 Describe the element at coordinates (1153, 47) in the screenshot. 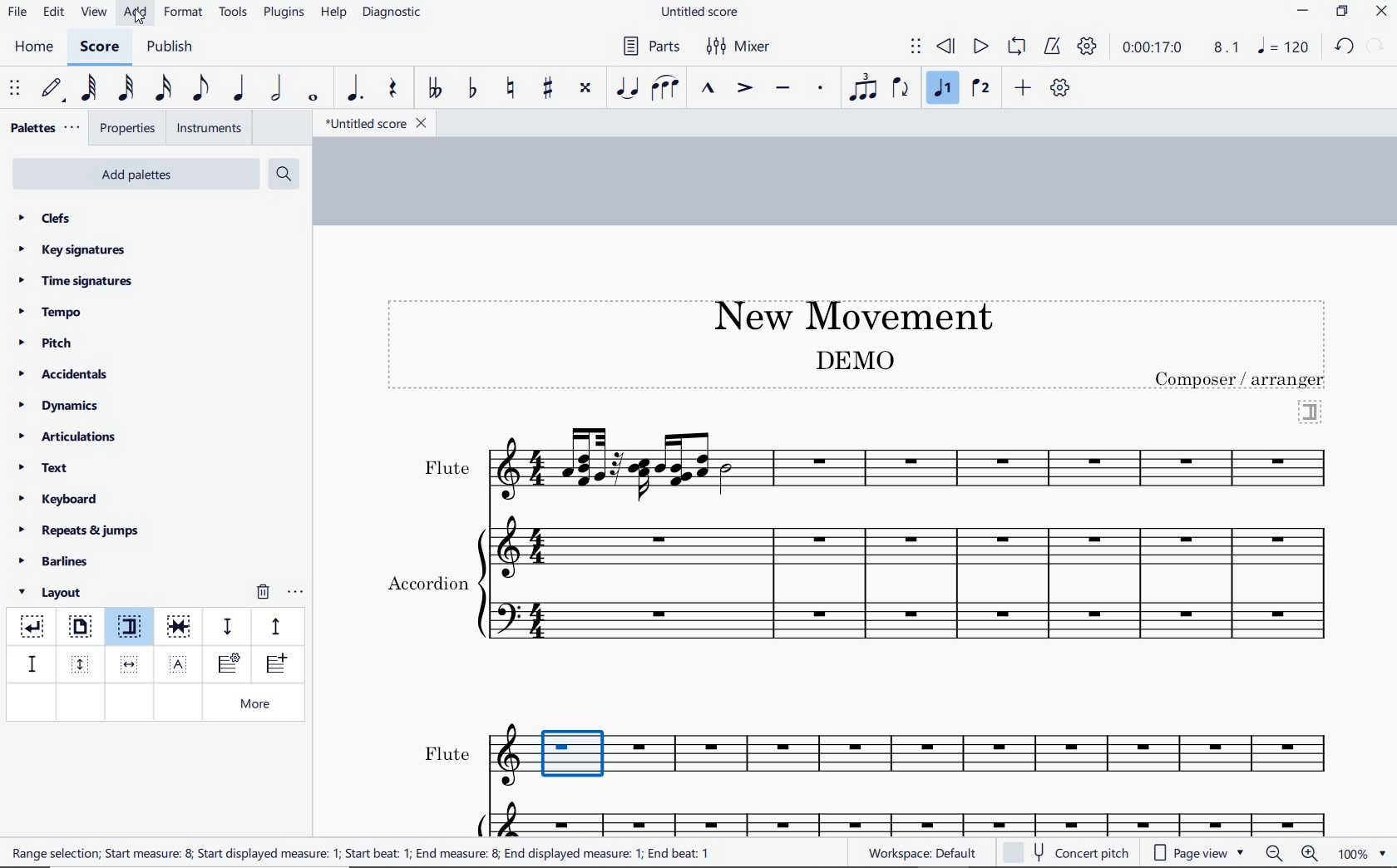

I see `playback time` at that location.